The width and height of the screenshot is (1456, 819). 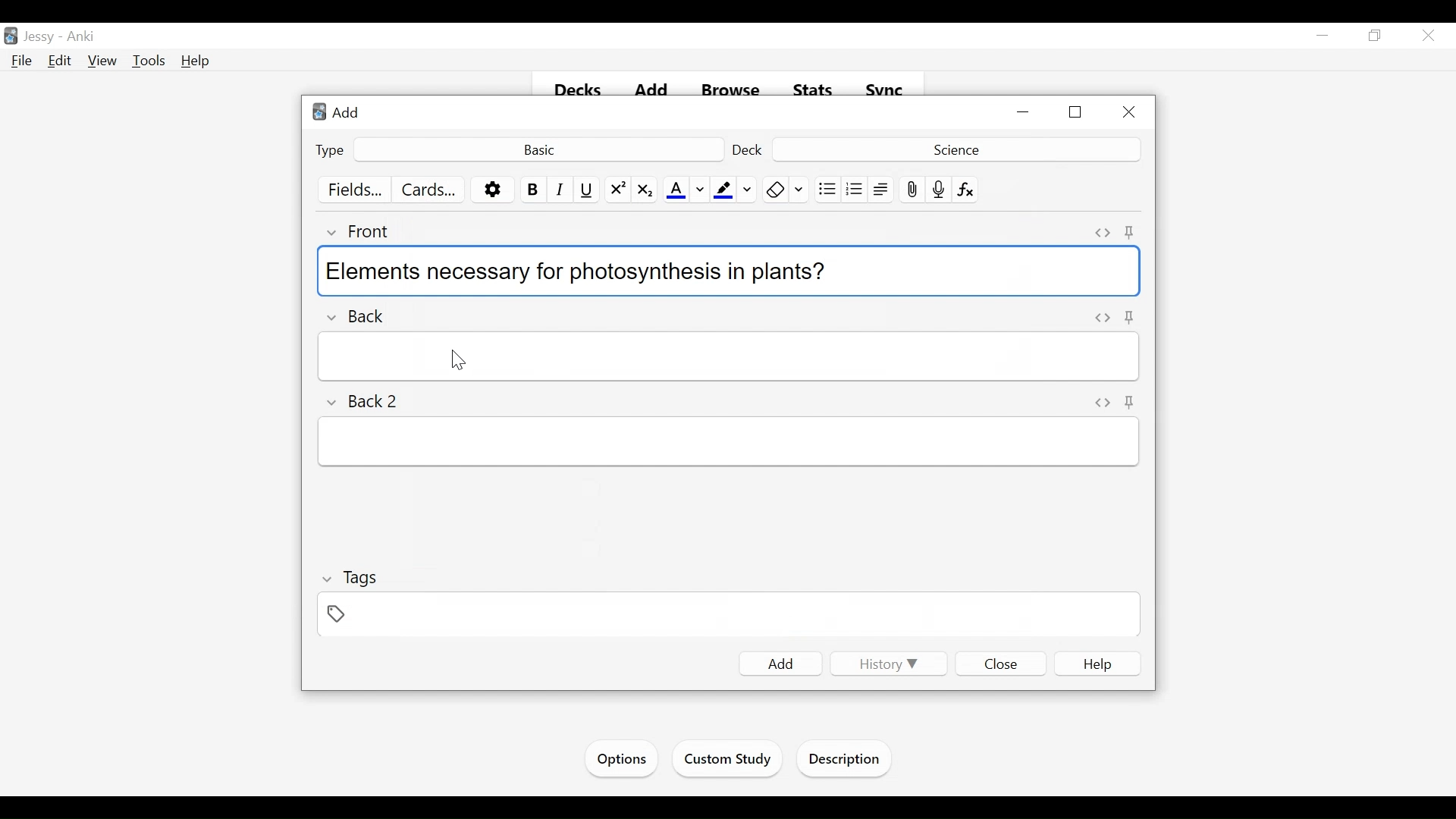 I want to click on Subscript, so click(x=644, y=190).